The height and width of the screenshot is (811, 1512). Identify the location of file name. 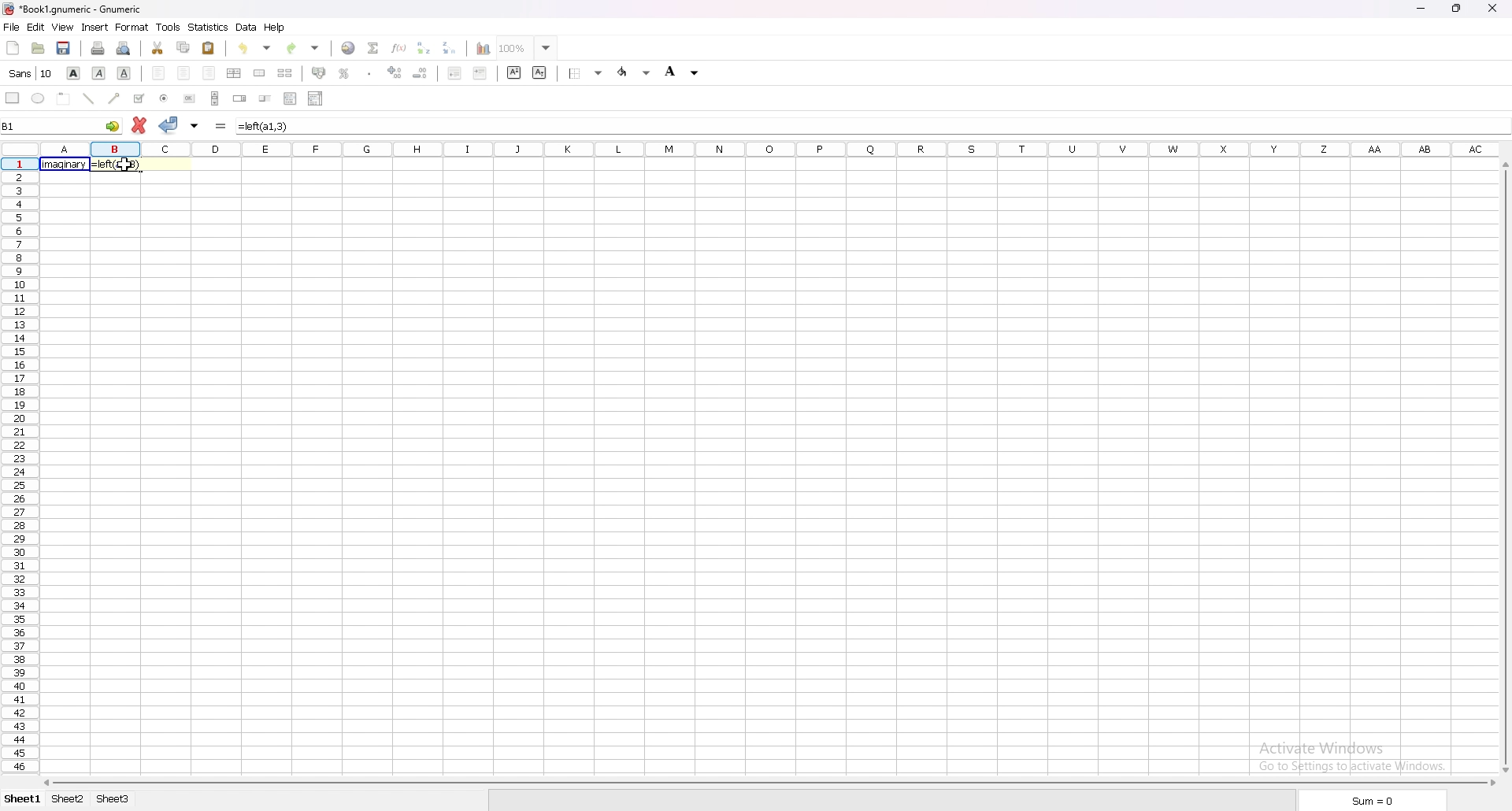
(72, 9).